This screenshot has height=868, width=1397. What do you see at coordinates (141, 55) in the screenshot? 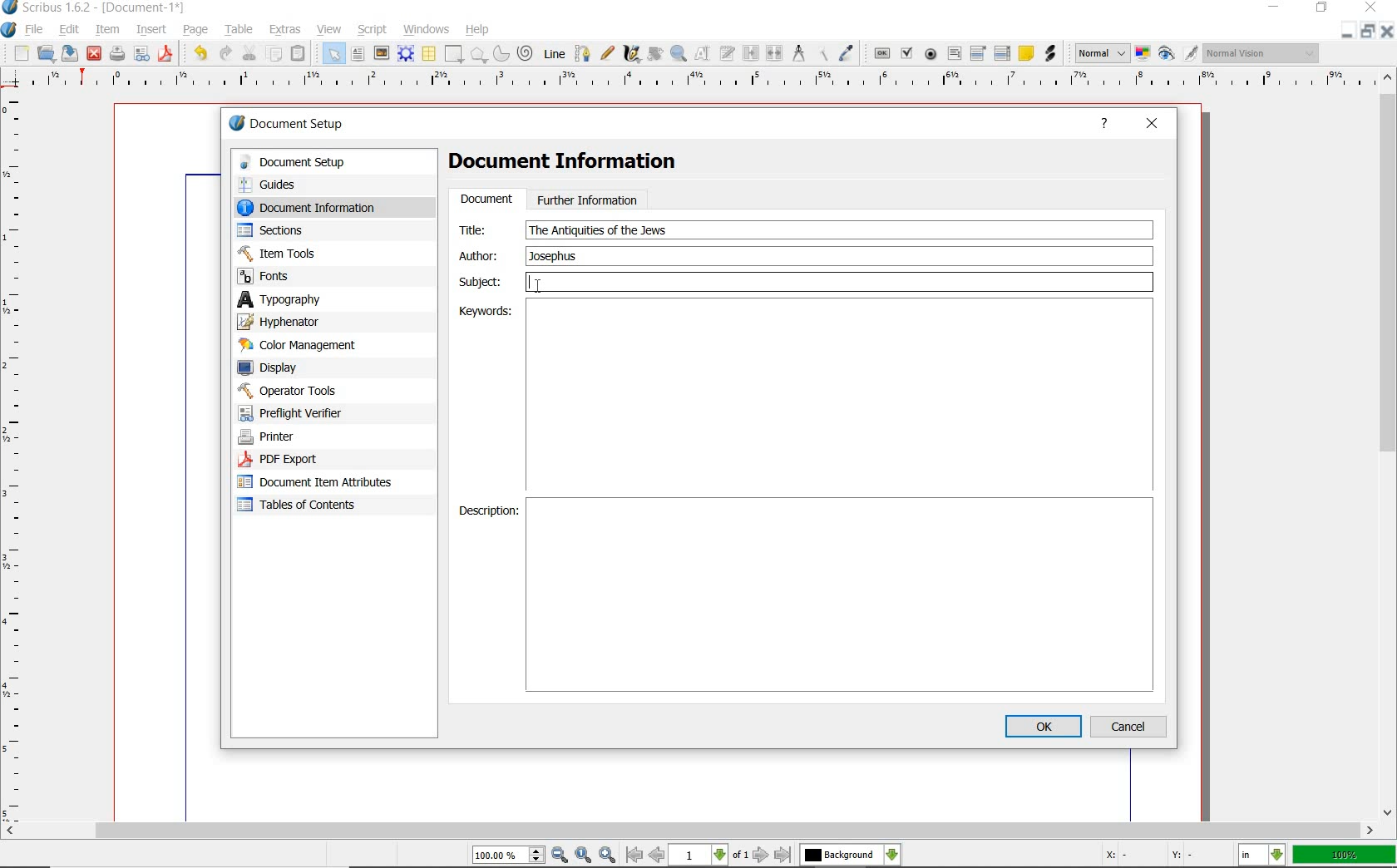
I see `preflight verifier` at bounding box center [141, 55].